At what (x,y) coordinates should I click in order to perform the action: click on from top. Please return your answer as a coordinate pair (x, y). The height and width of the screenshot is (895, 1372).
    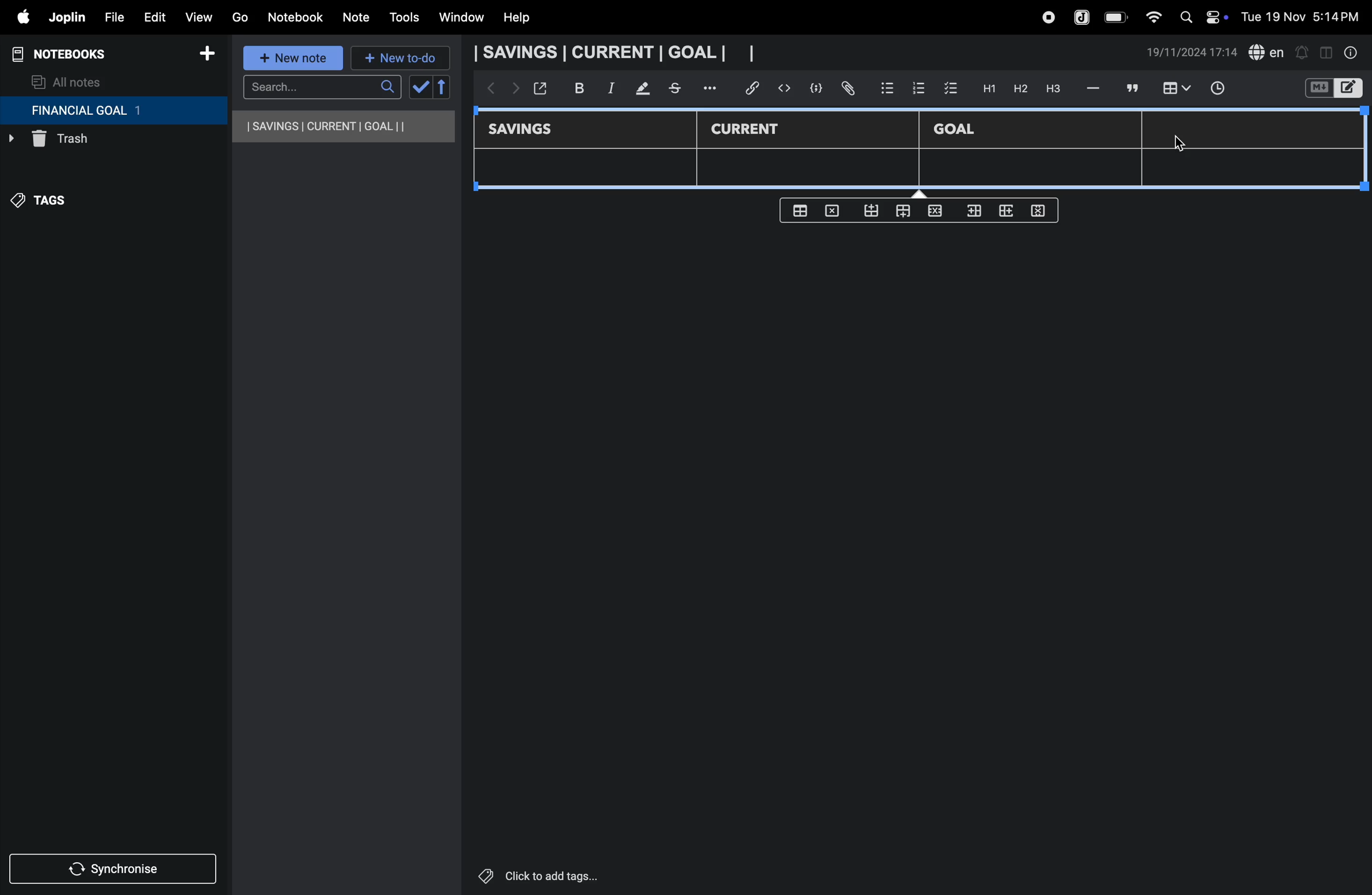
    Looking at the image, I should click on (900, 212).